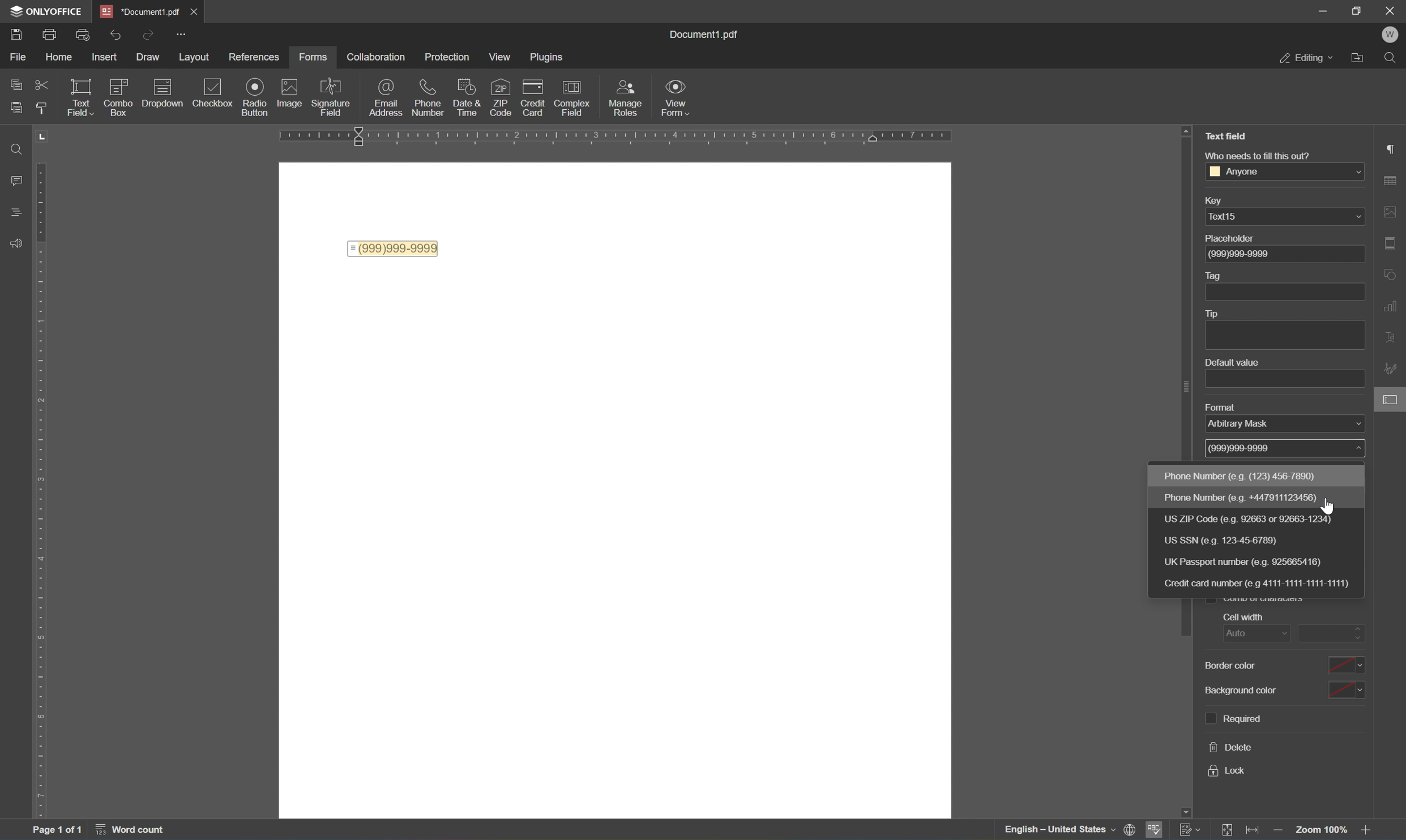  I want to click on radio button, so click(255, 96).